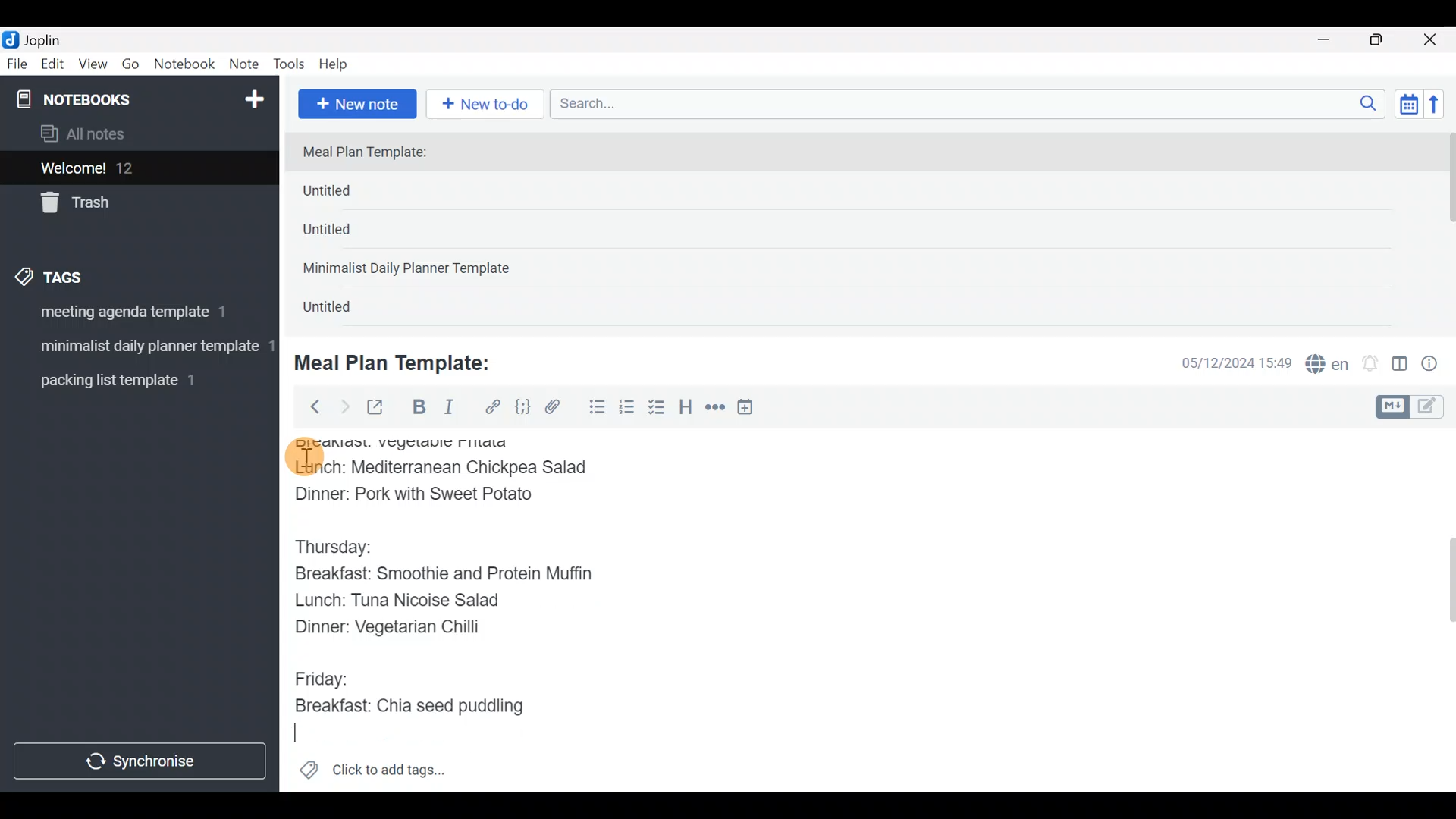  Describe the element at coordinates (326, 674) in the screenshot. I see `Friday:` at that location.